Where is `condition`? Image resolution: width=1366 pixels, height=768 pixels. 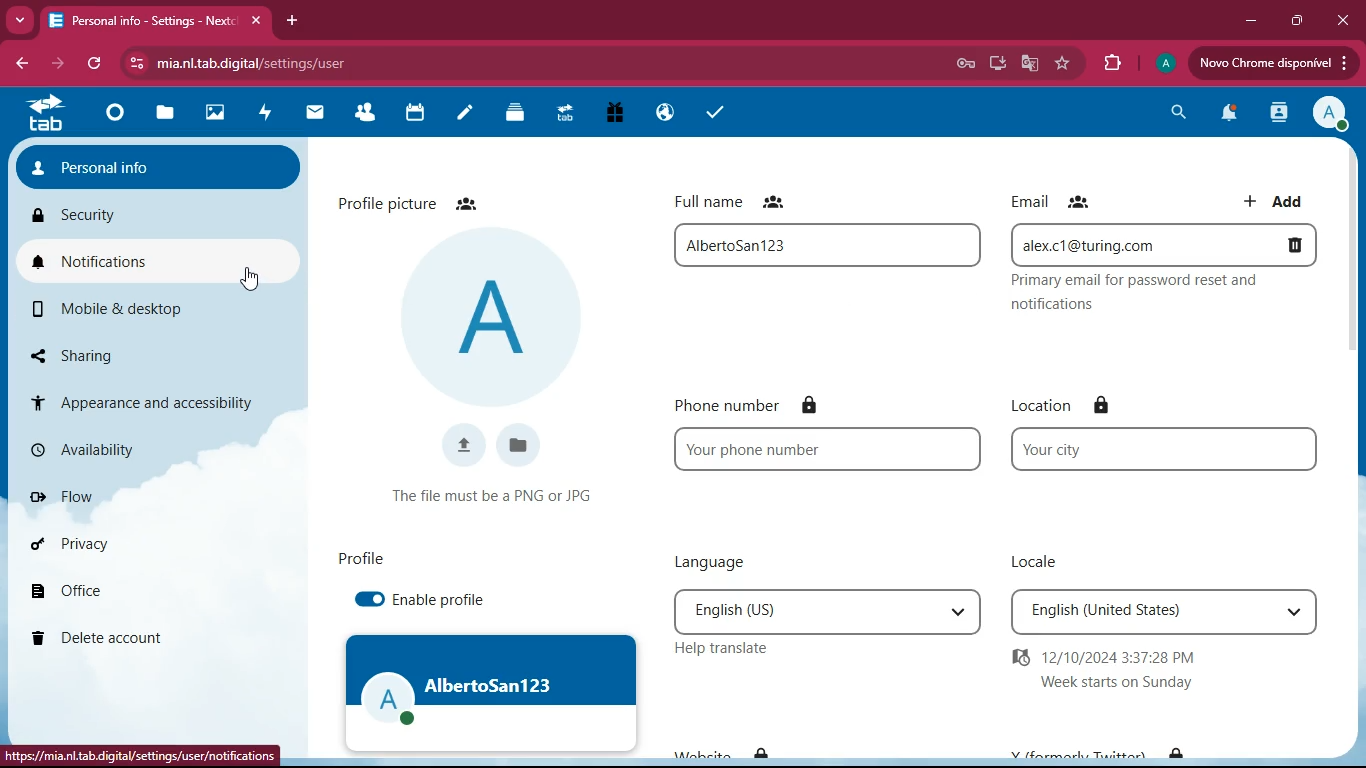
condition is located at coordinates (500, 495).